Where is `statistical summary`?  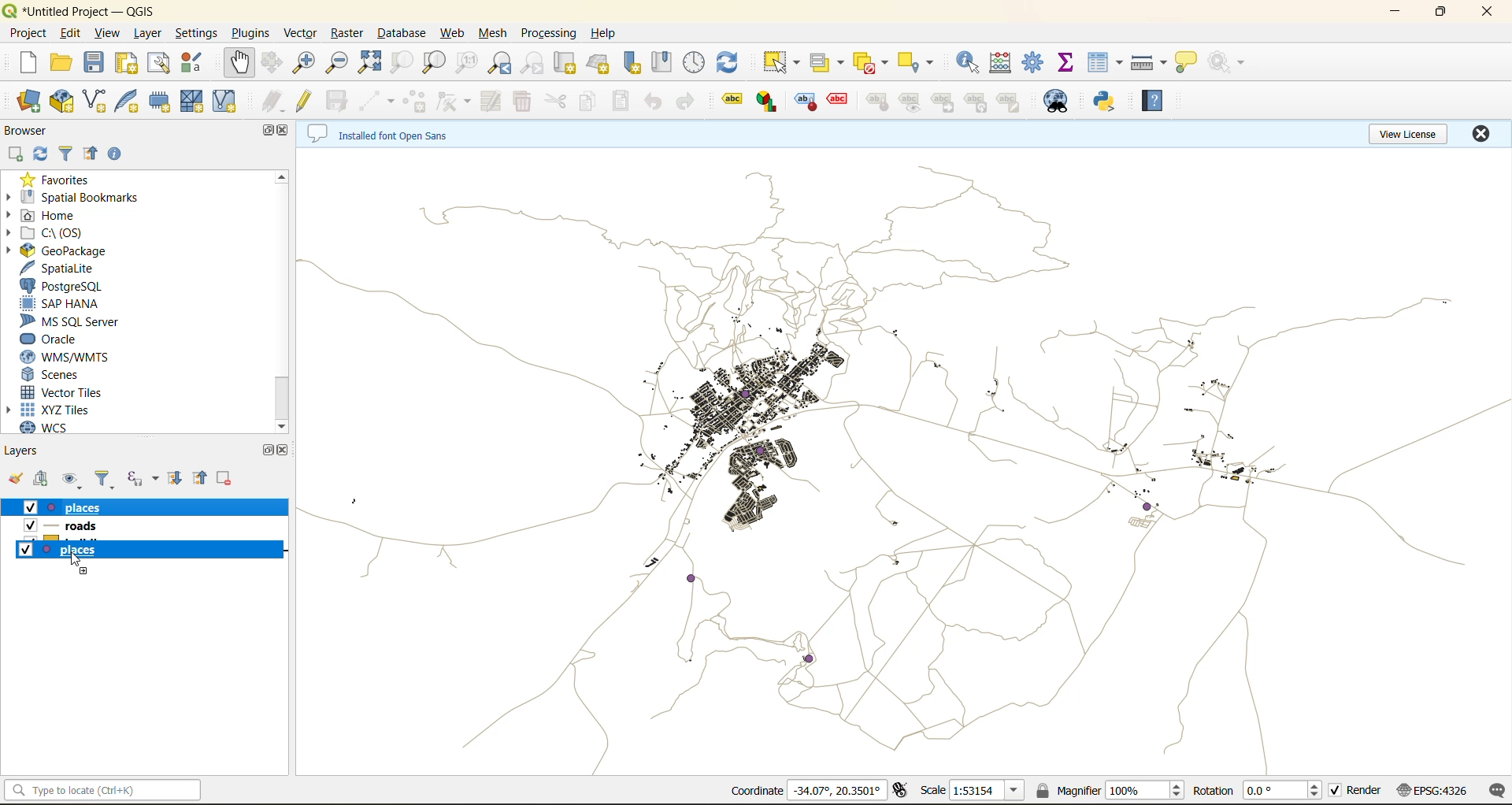
statistical summary is located at coordinates (1069, 65).